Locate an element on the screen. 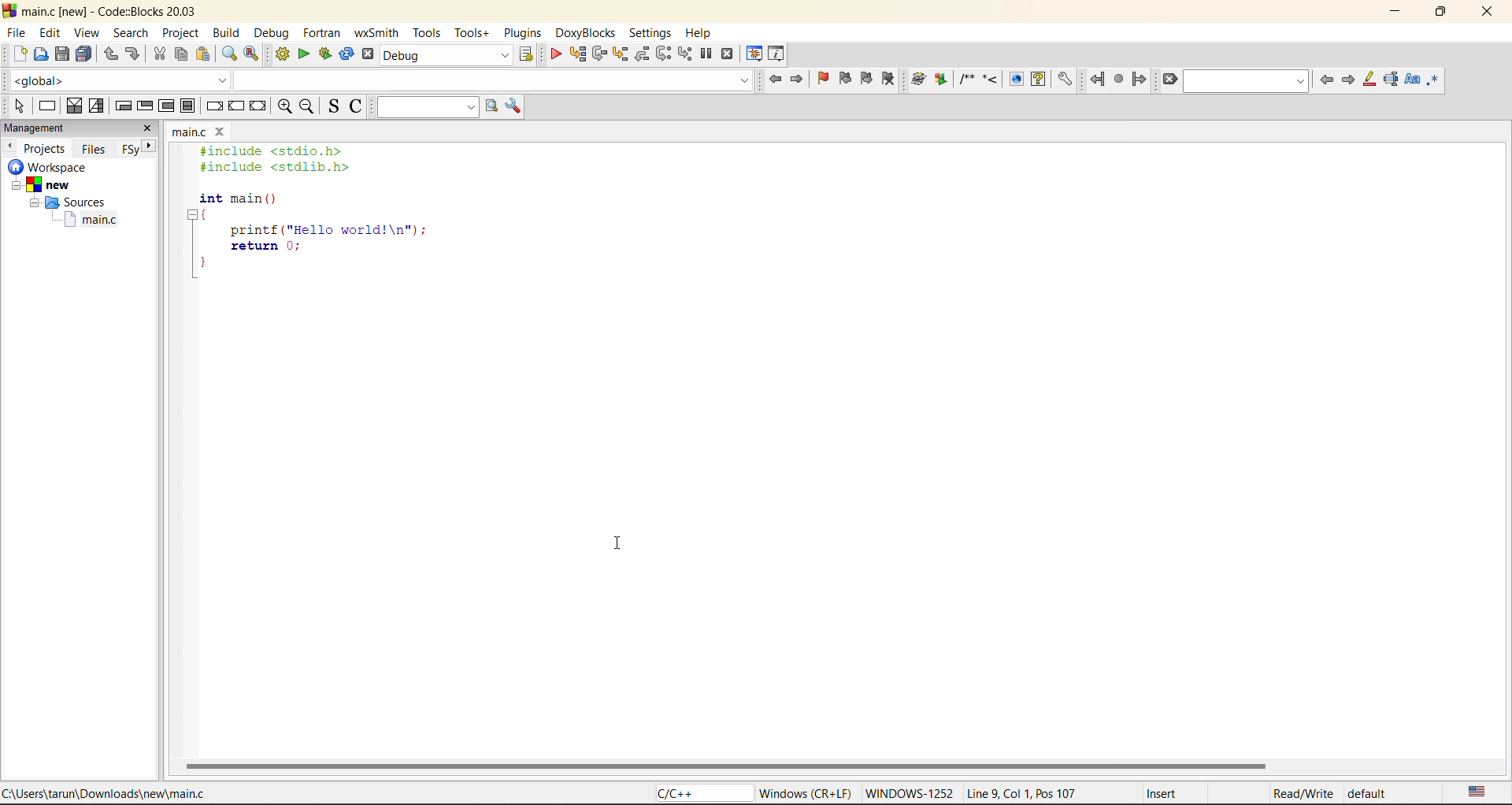 This screenshot has height=805, width=1512. various info is located at coordinates (777, 54).